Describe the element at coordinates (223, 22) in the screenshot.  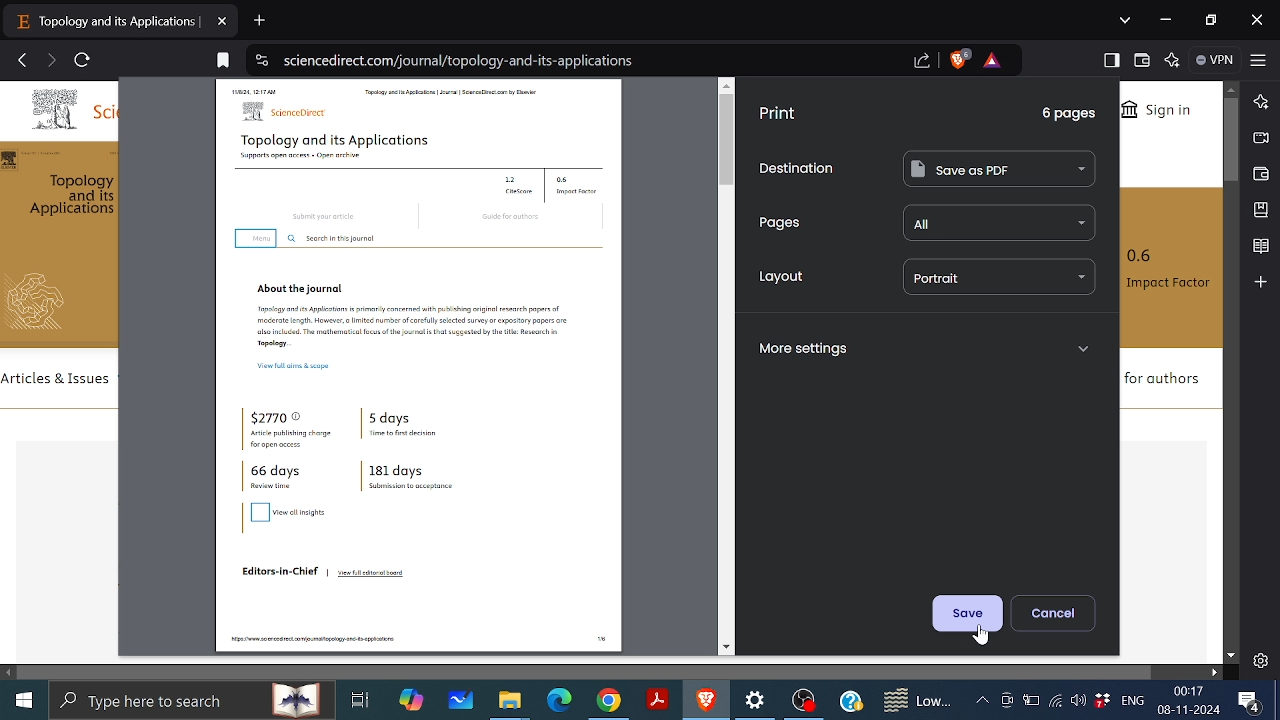
I see `Close current tab` at that location.